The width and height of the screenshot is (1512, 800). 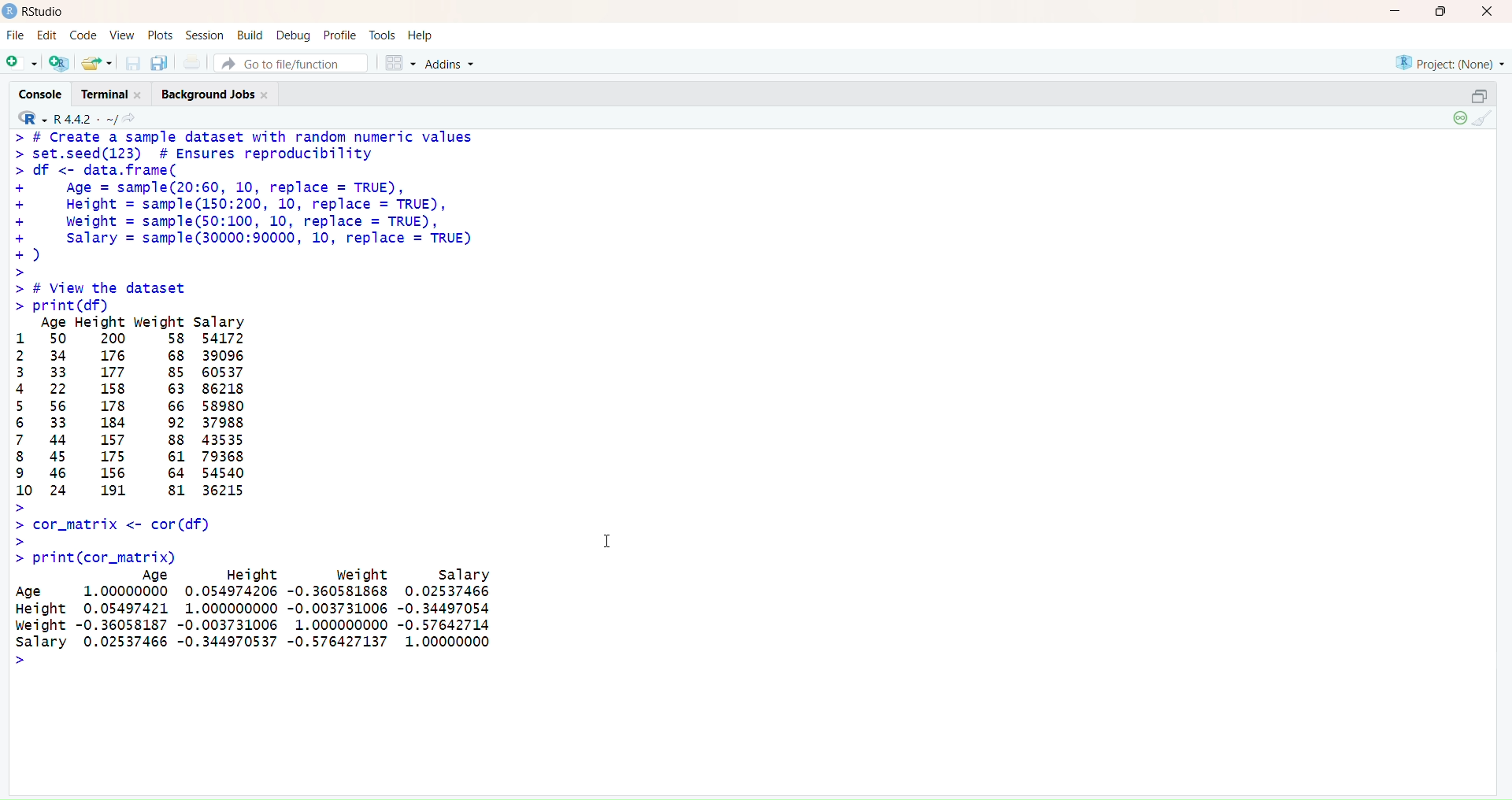 I want to click on Addons, so click(x=453, y=64).